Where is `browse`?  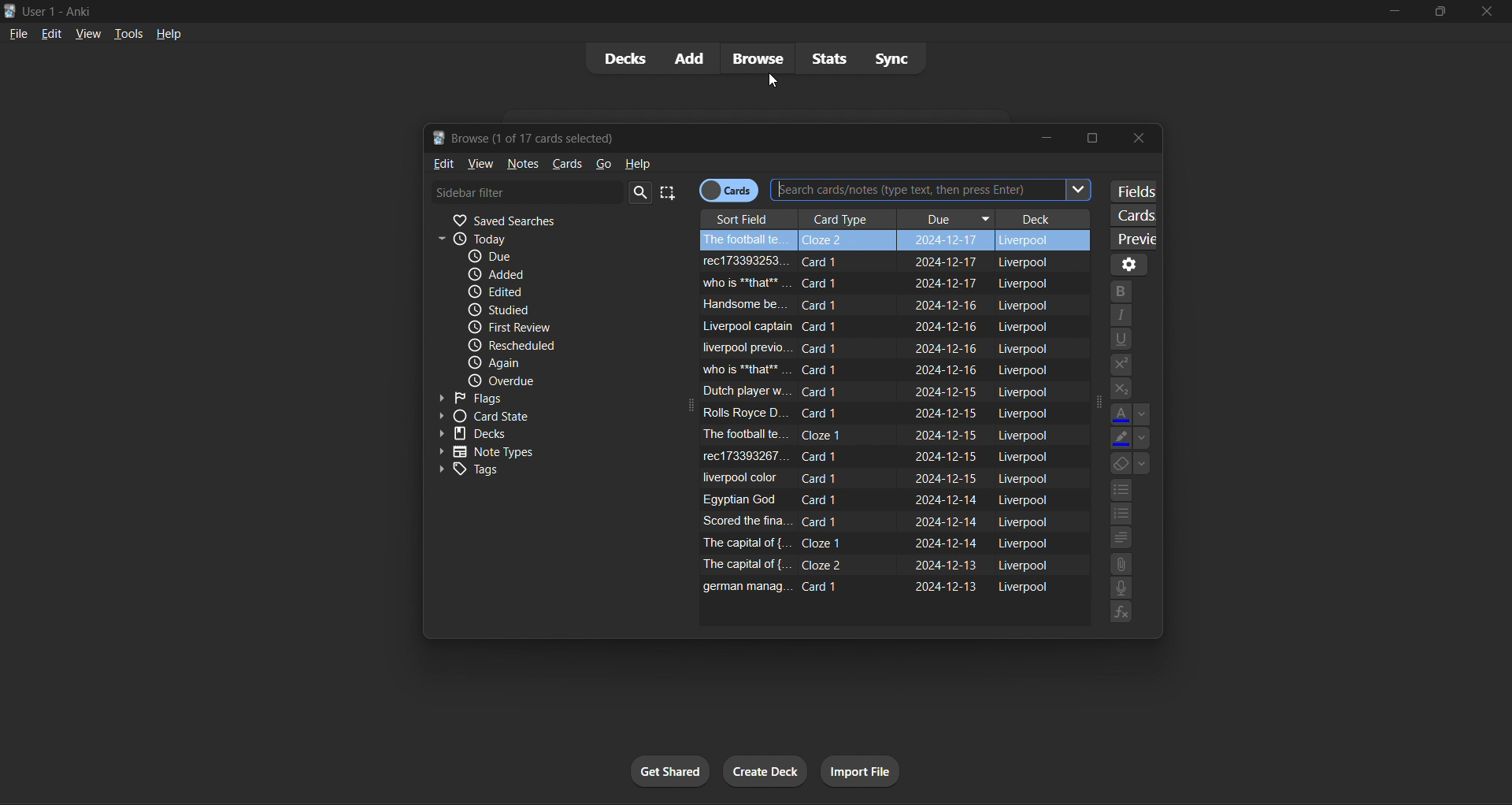
browse is located at coordinates (756, 58).